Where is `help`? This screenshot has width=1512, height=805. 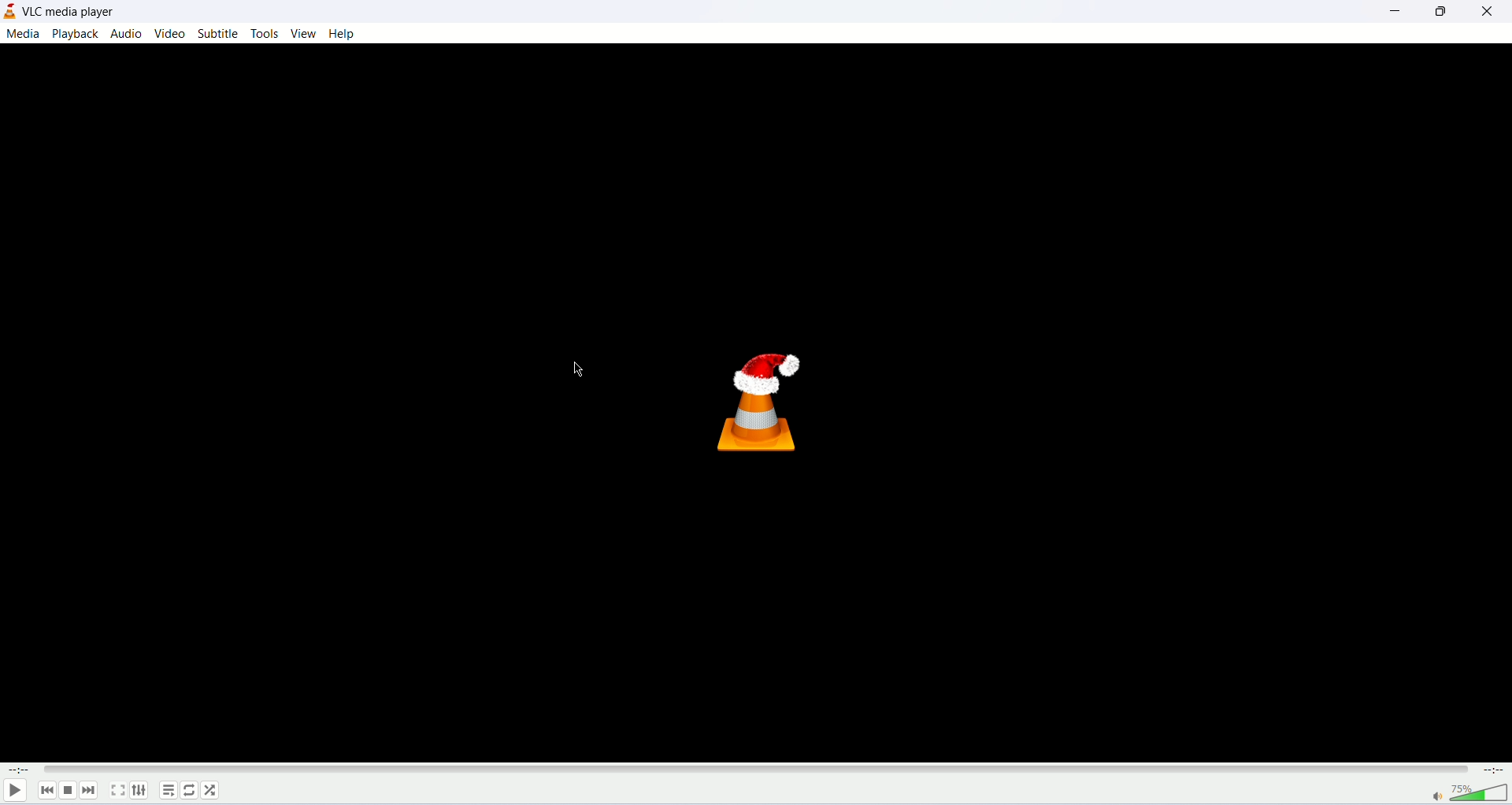 help is located at coordinates (346, 35).